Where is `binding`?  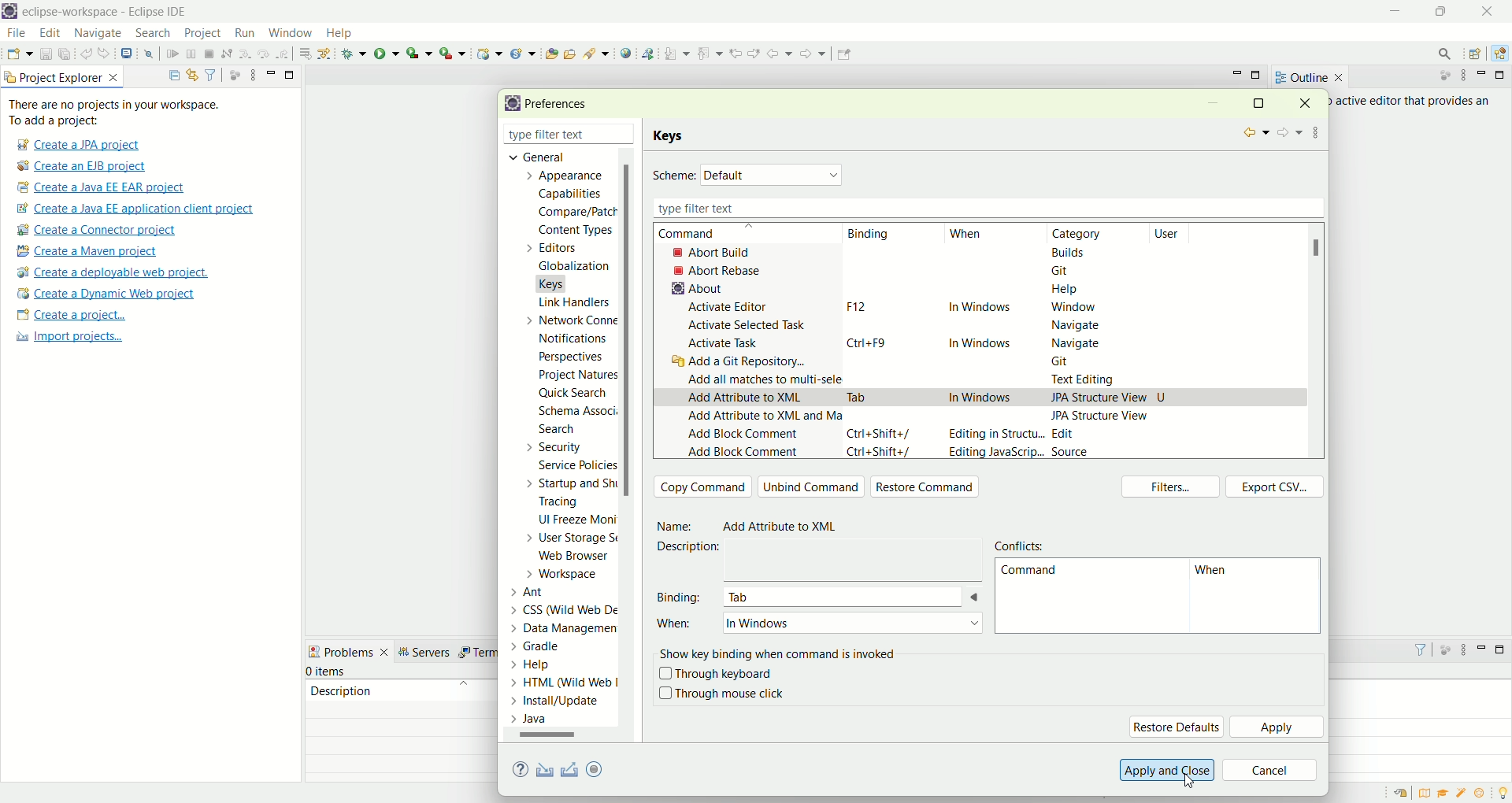
binding is located at coordinates (681, 596).